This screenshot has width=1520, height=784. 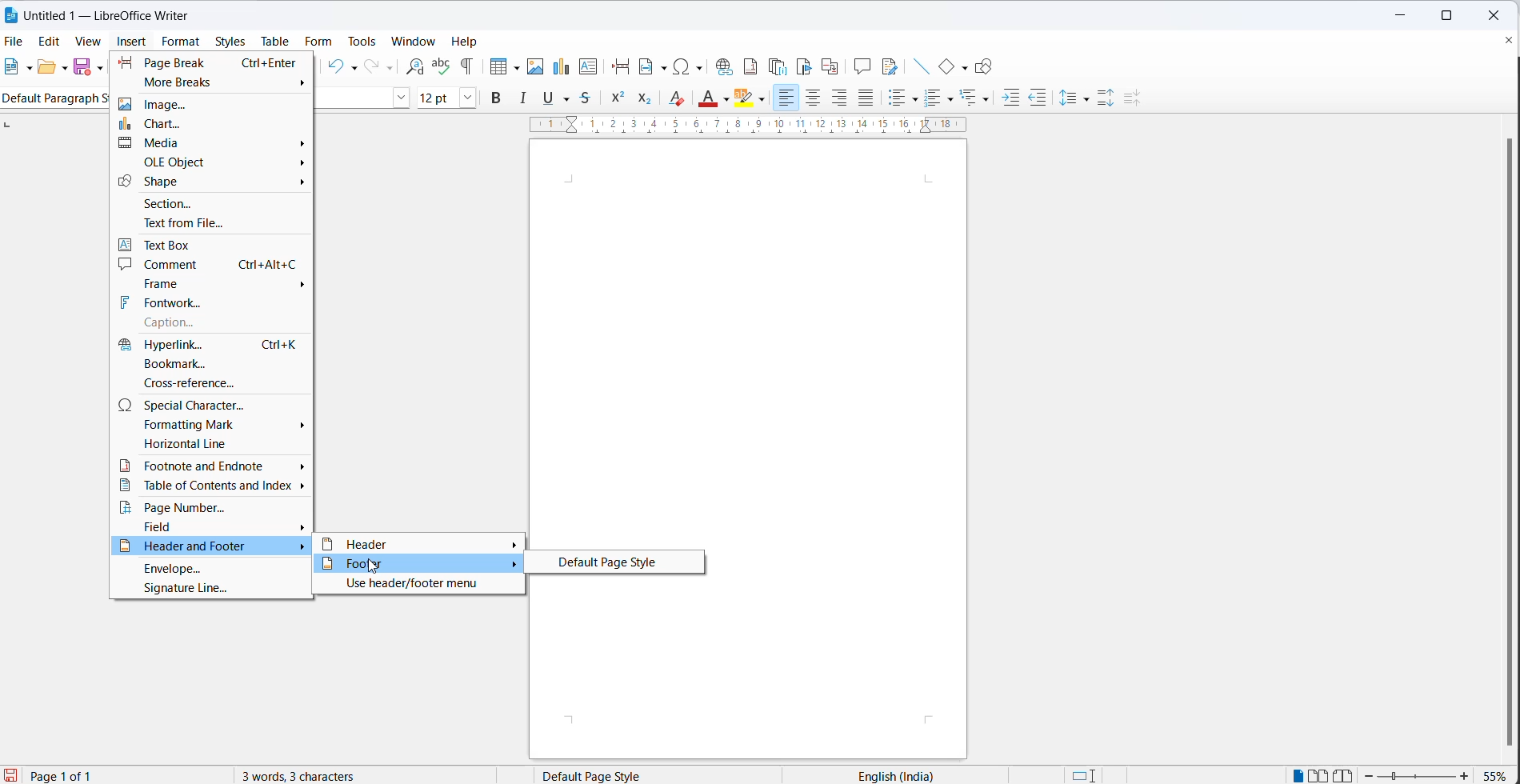 I want to click on toggle ordered list , so click(x=899, y=99).